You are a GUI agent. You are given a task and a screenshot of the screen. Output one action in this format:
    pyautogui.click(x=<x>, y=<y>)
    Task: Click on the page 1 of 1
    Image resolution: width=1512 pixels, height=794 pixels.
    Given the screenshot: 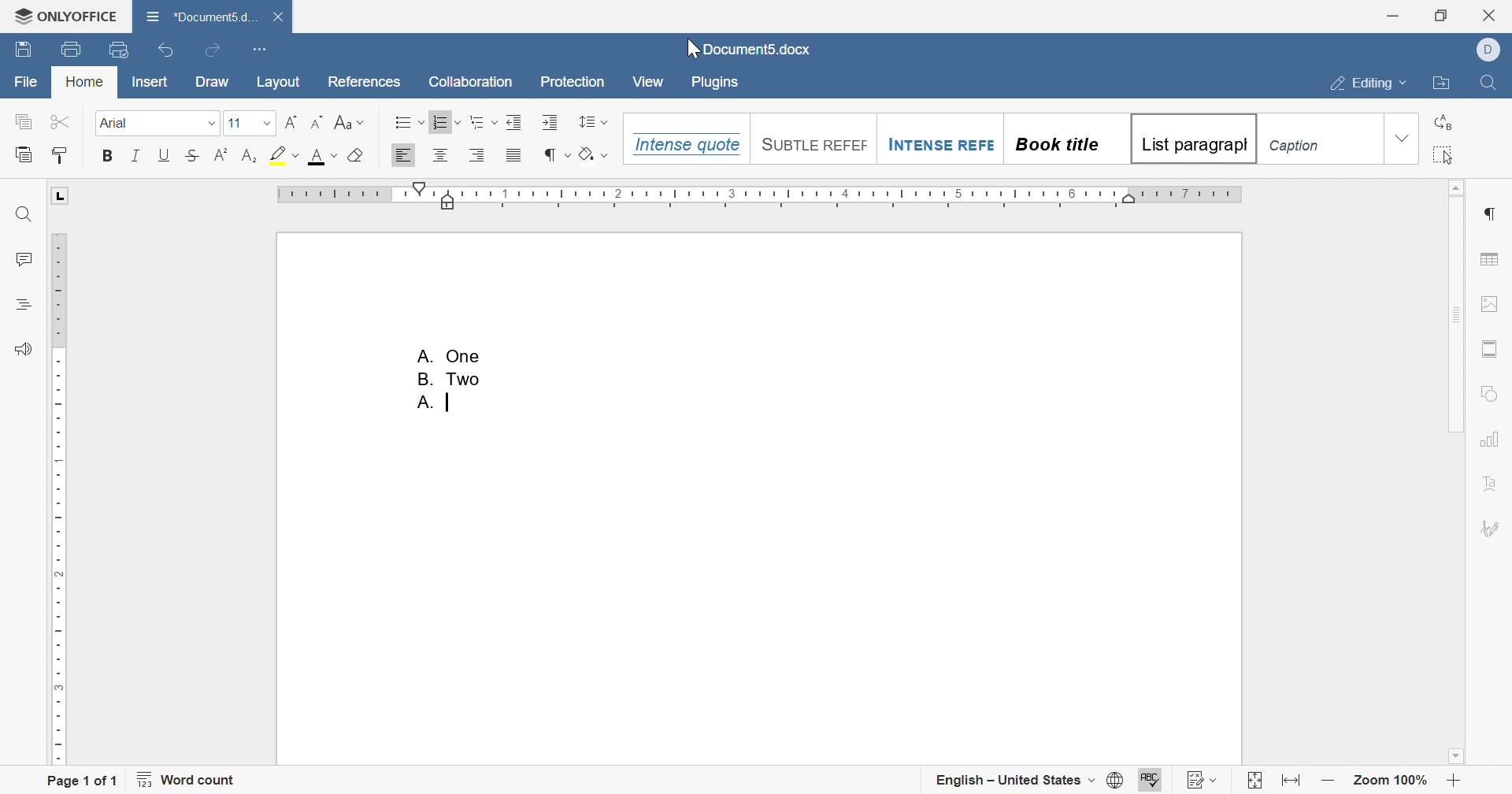 What is the action you would take?
    pyautogui.click(x=83, y=779)
    